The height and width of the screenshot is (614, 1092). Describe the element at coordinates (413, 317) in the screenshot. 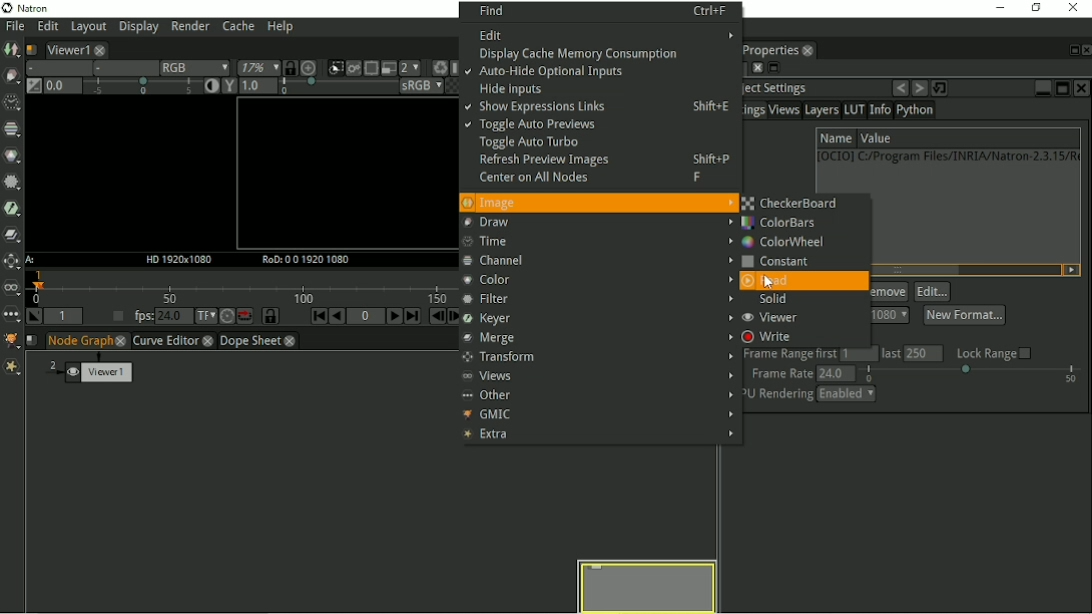

I see `Last frame` at that location.